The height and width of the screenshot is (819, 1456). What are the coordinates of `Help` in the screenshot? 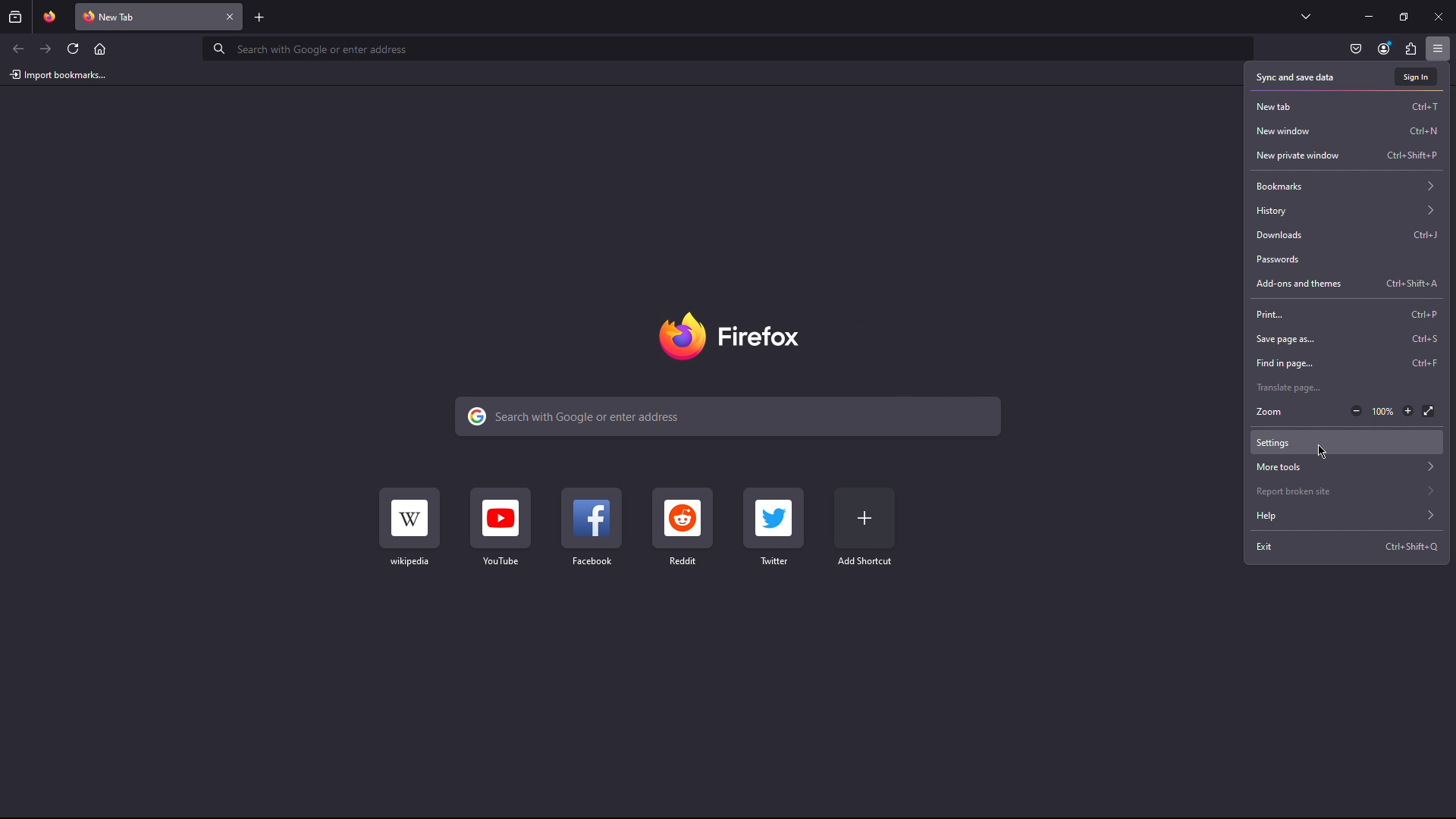 It's located at (2930, 1177).